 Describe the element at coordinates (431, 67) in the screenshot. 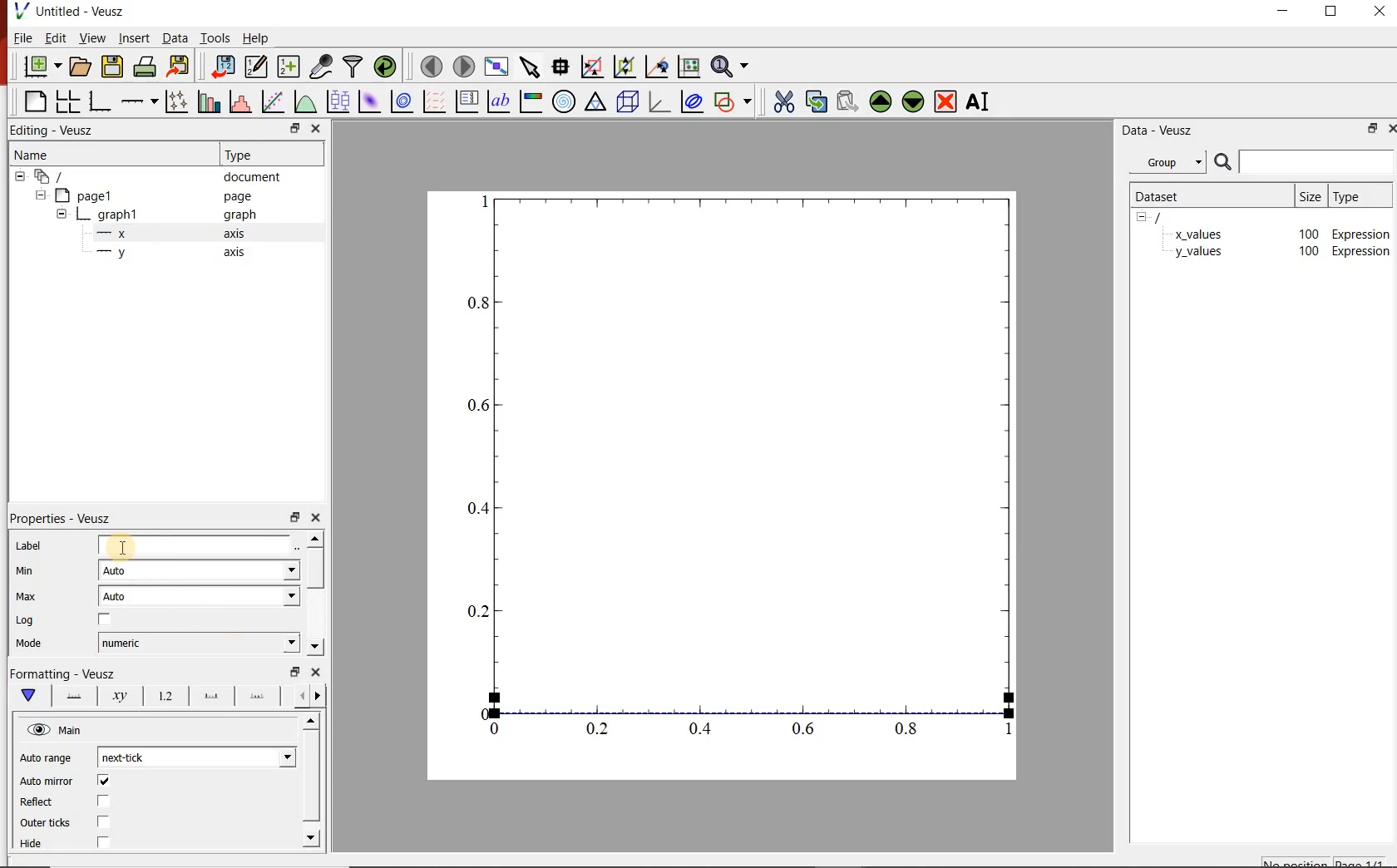

I see `move to previous page` at that location.